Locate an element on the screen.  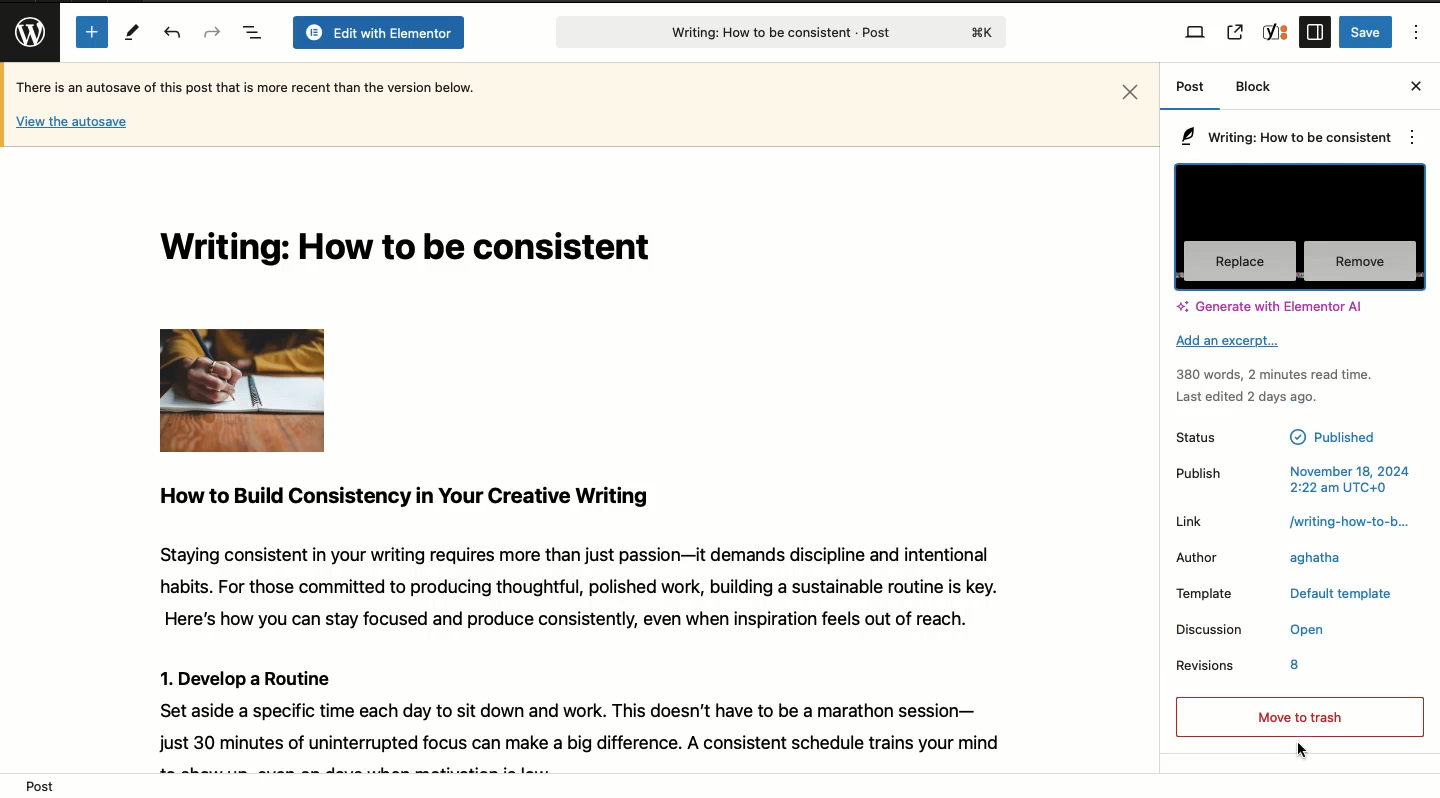
Add new block is located at coordinates (89, 31).